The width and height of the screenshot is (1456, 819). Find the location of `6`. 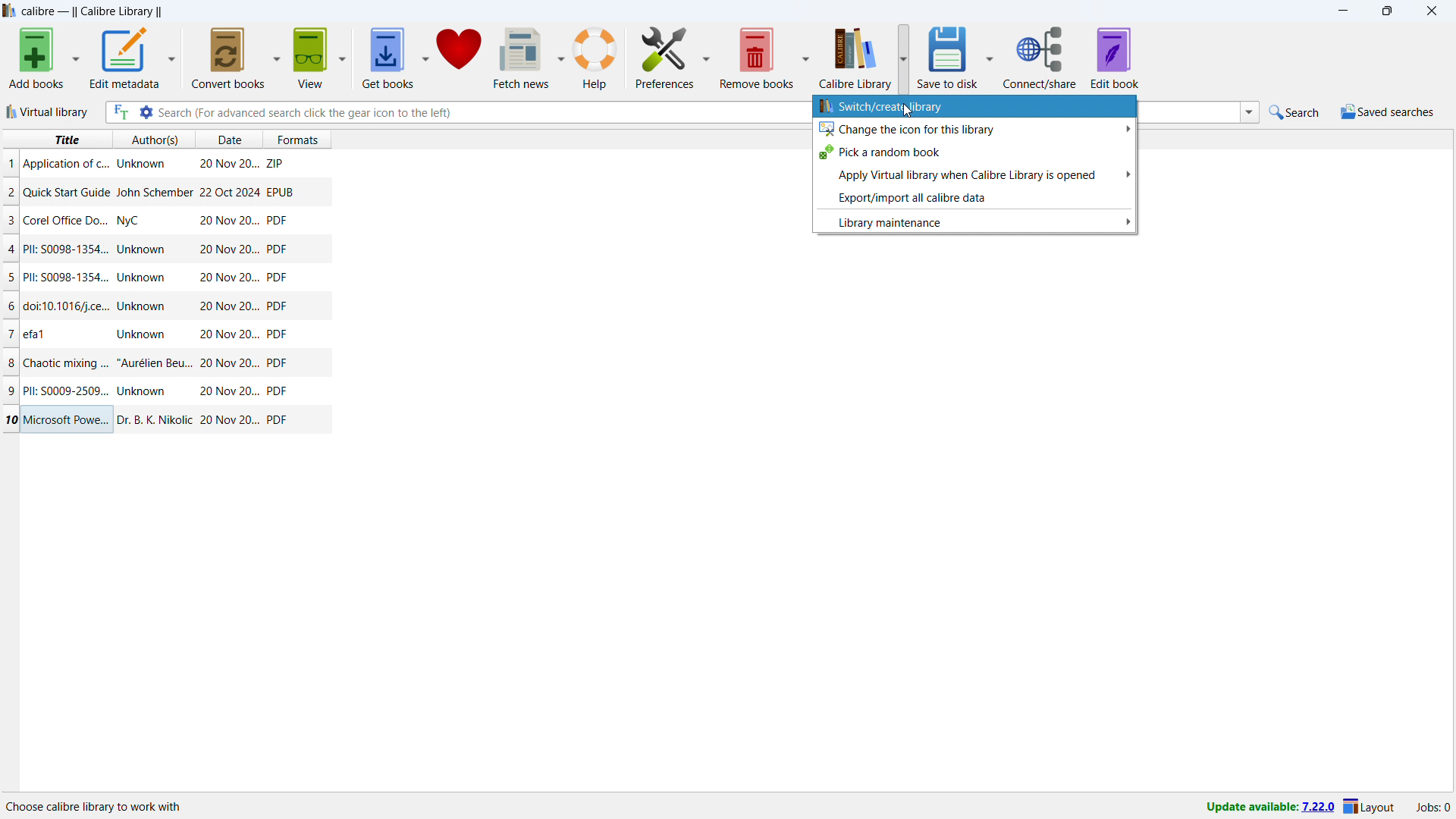

6 is located at coordinates (12, 306).